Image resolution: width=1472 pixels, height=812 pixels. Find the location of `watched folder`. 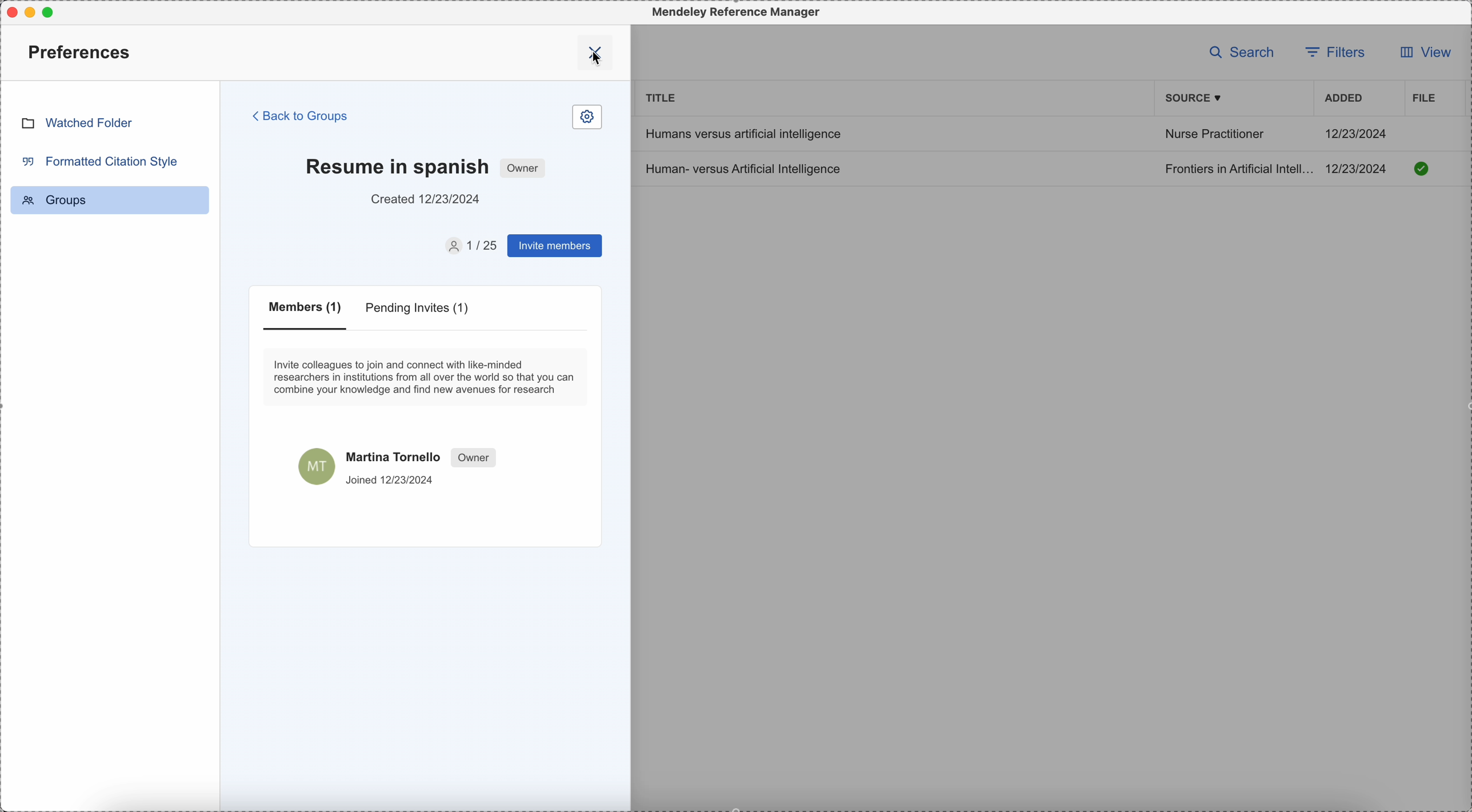

watched folder is located at coordinates (77, 122).